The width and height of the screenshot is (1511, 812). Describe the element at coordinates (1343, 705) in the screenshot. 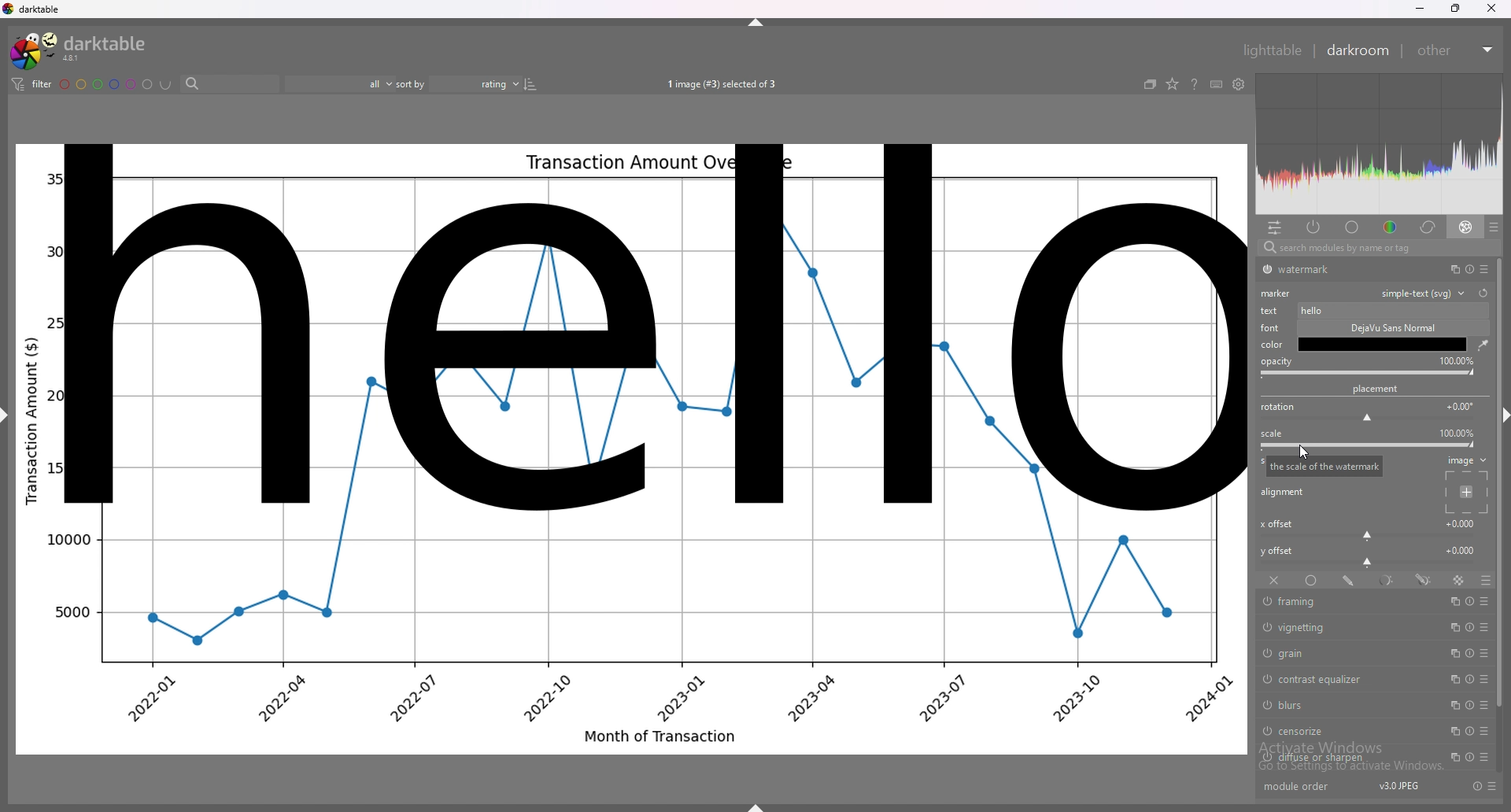

I see `blurs` at that location.